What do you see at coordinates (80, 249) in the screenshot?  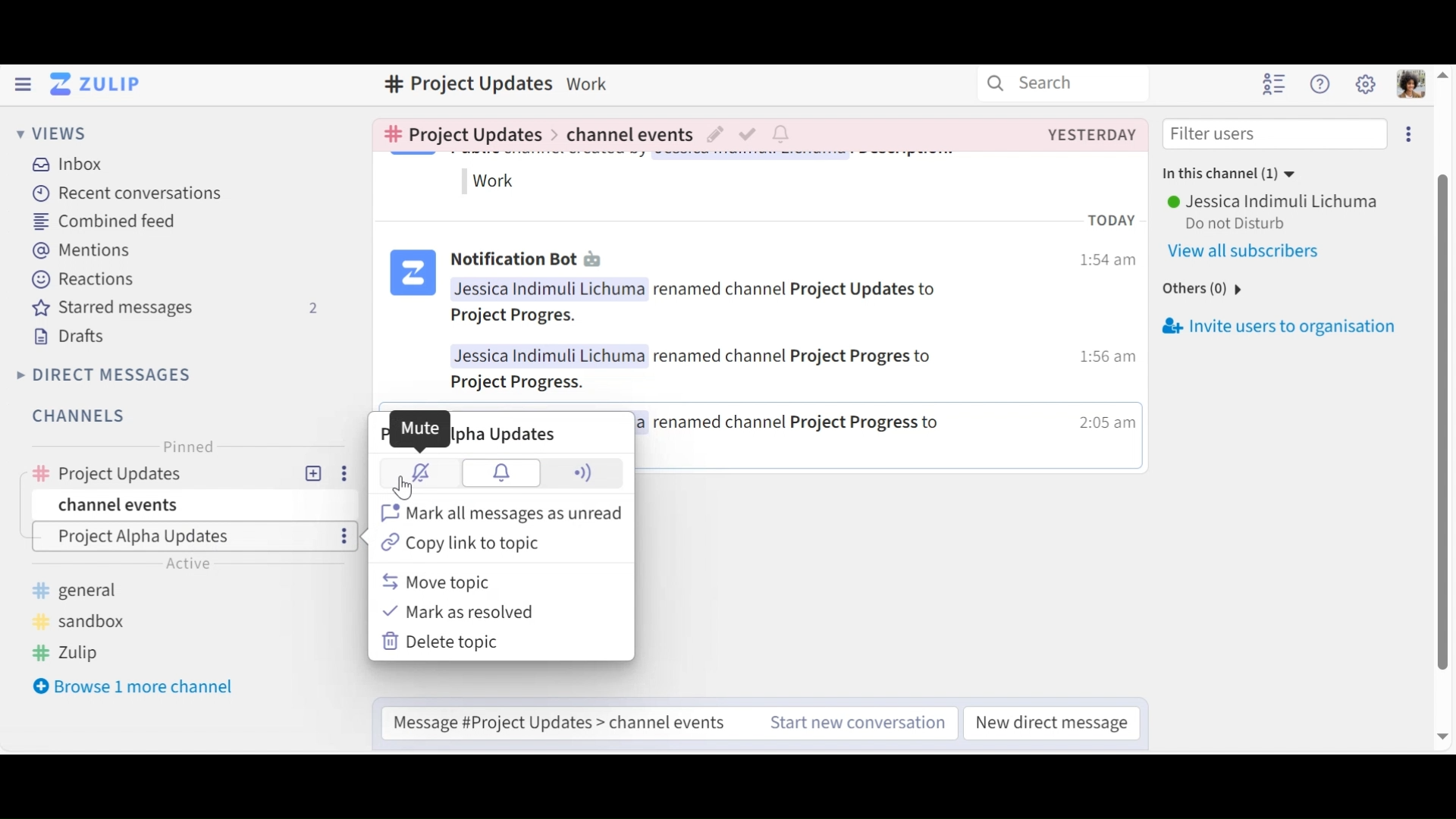 I see `Mentions` at bounding box center [80, 249].